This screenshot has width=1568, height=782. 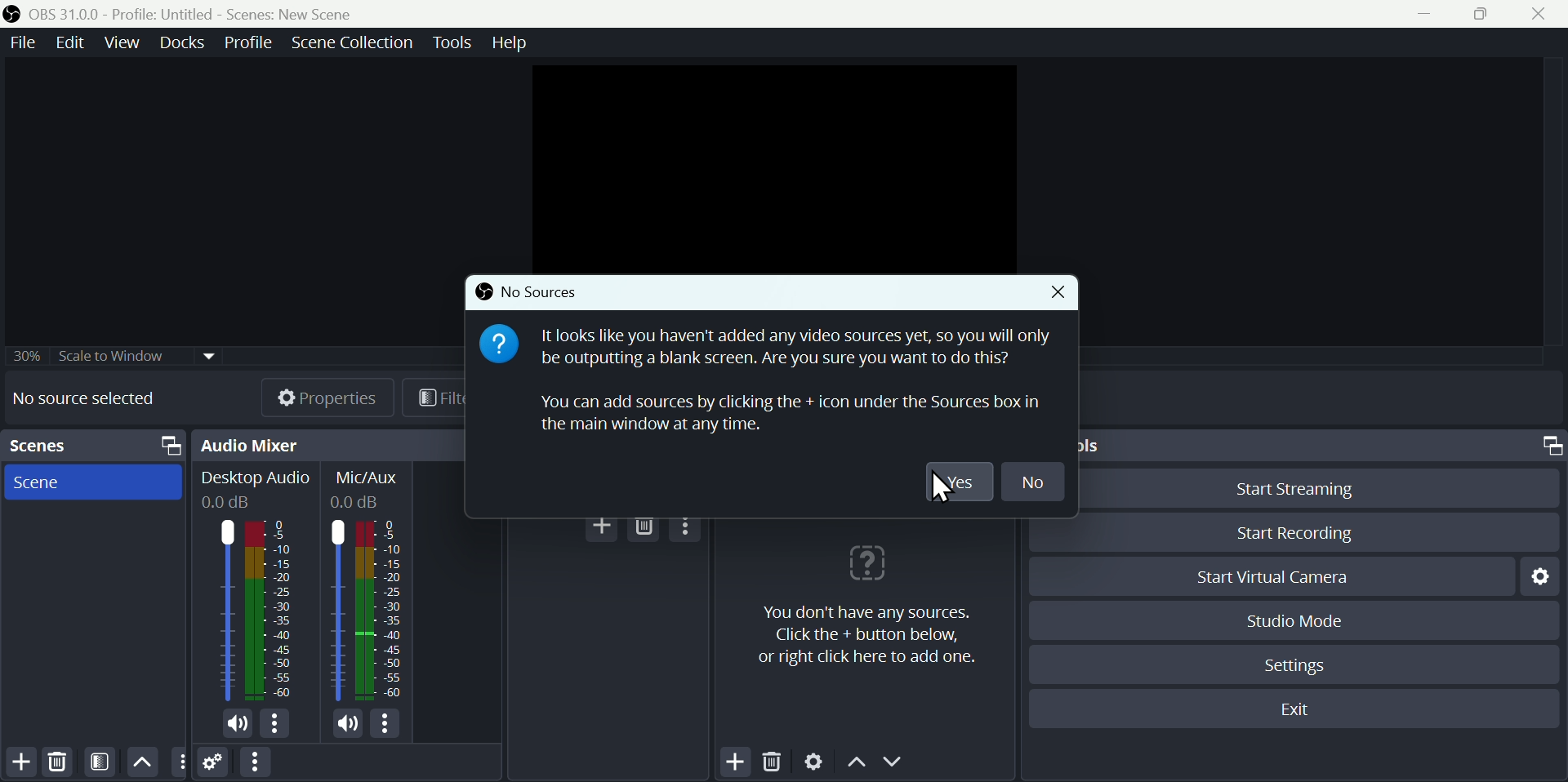 What do you see at coordinates (866, 634) in the screenshot?
I see `you don't have any sources.` at bounding box center [866, 634].